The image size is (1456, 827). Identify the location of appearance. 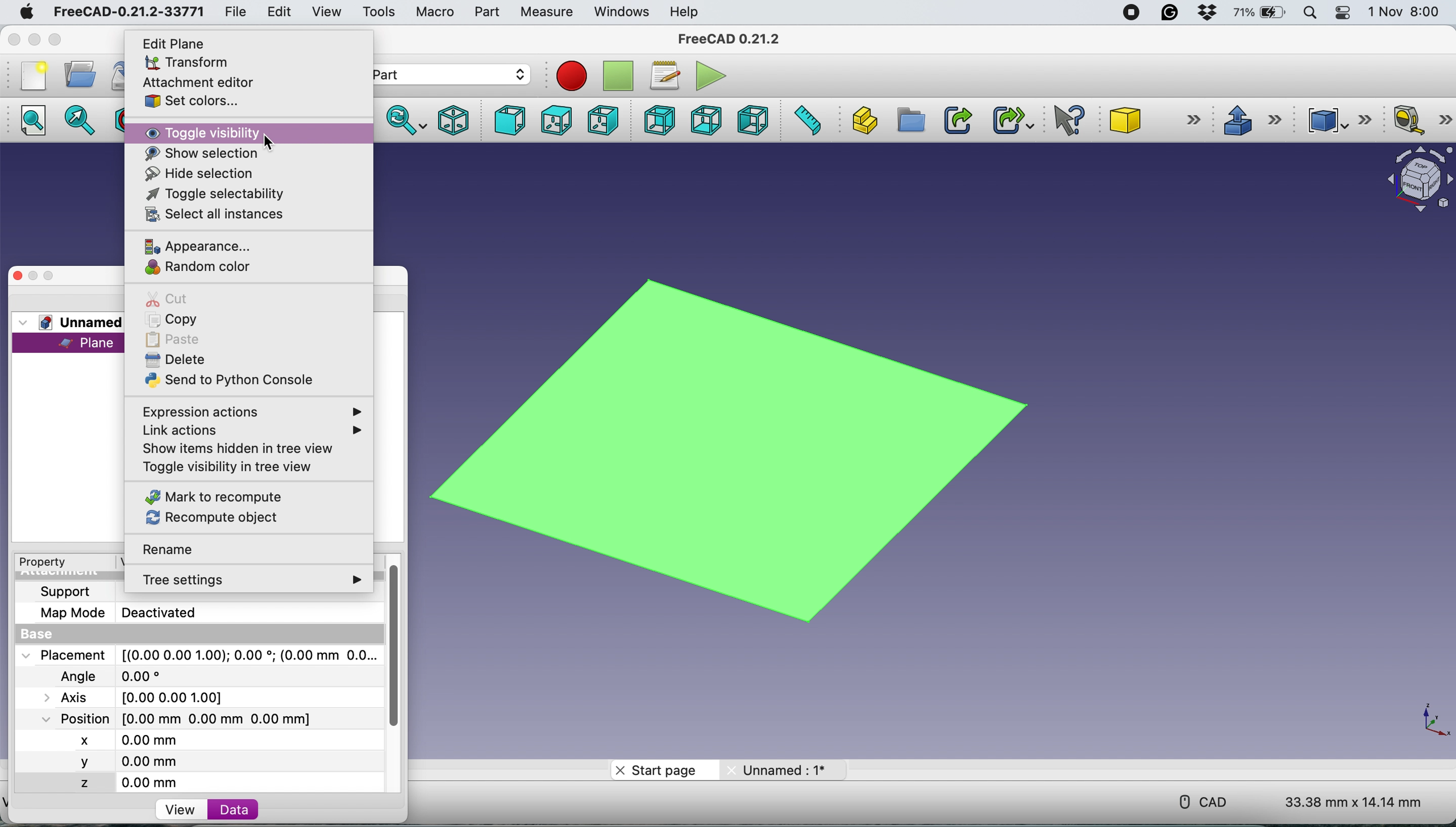
(196, 245).